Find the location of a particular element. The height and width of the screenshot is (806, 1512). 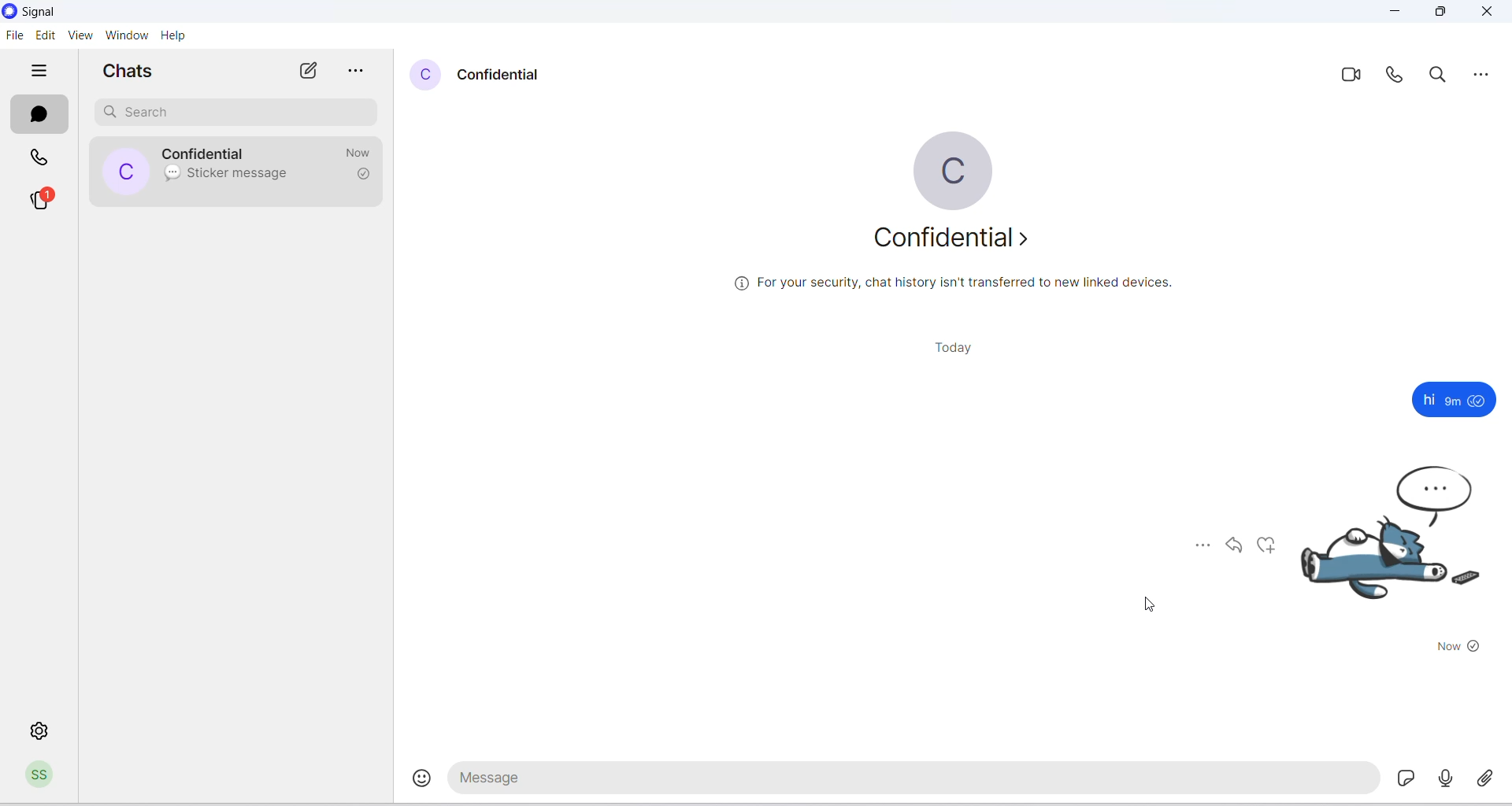

maximize is located at coordinates (1444, 14).